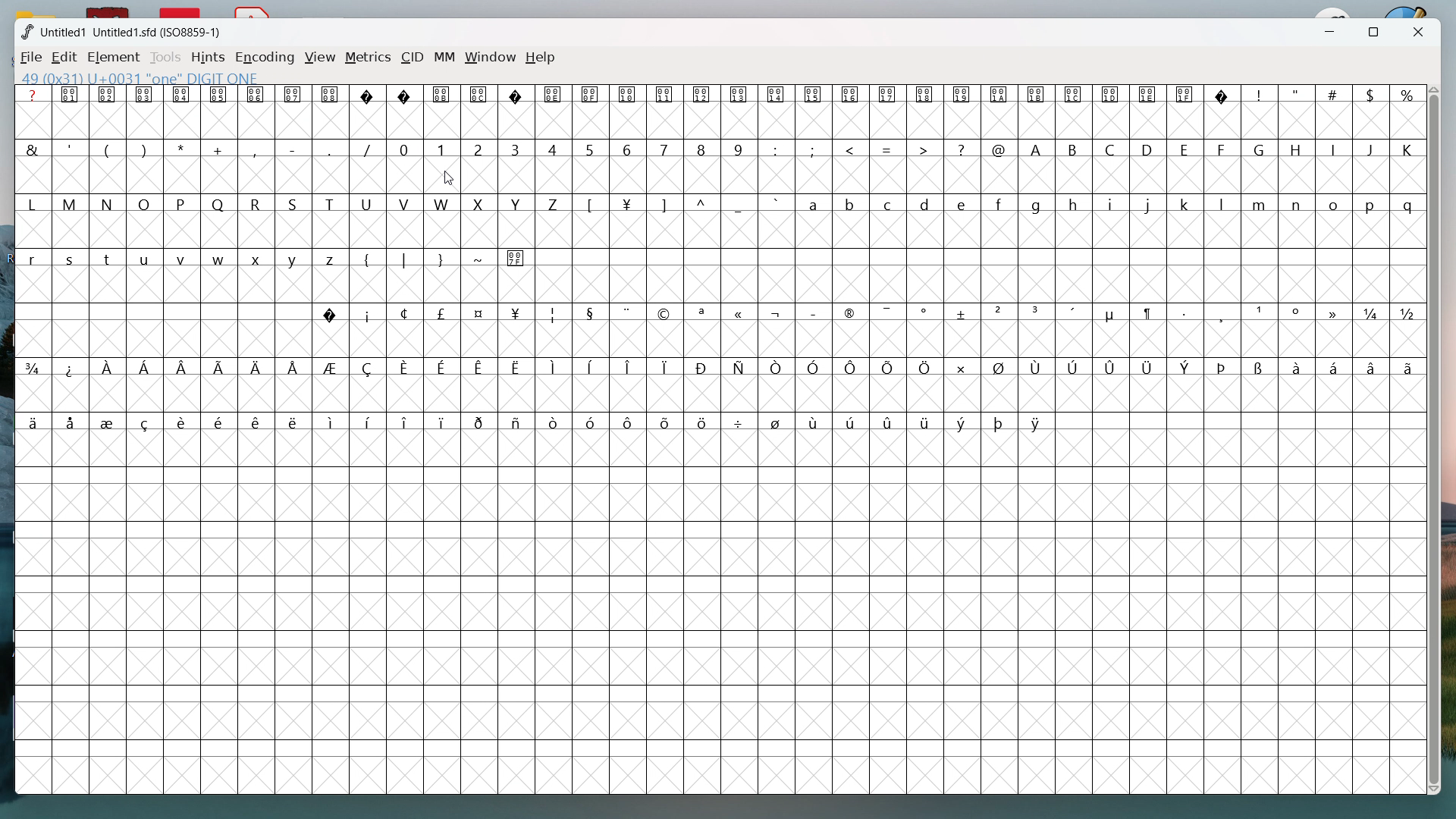 The height and width of the screenshot is (819, 1456). What do you see at coordinates (1150, 366) in the screenshot?
I see `symbol` at bounding box center [1150, 366].